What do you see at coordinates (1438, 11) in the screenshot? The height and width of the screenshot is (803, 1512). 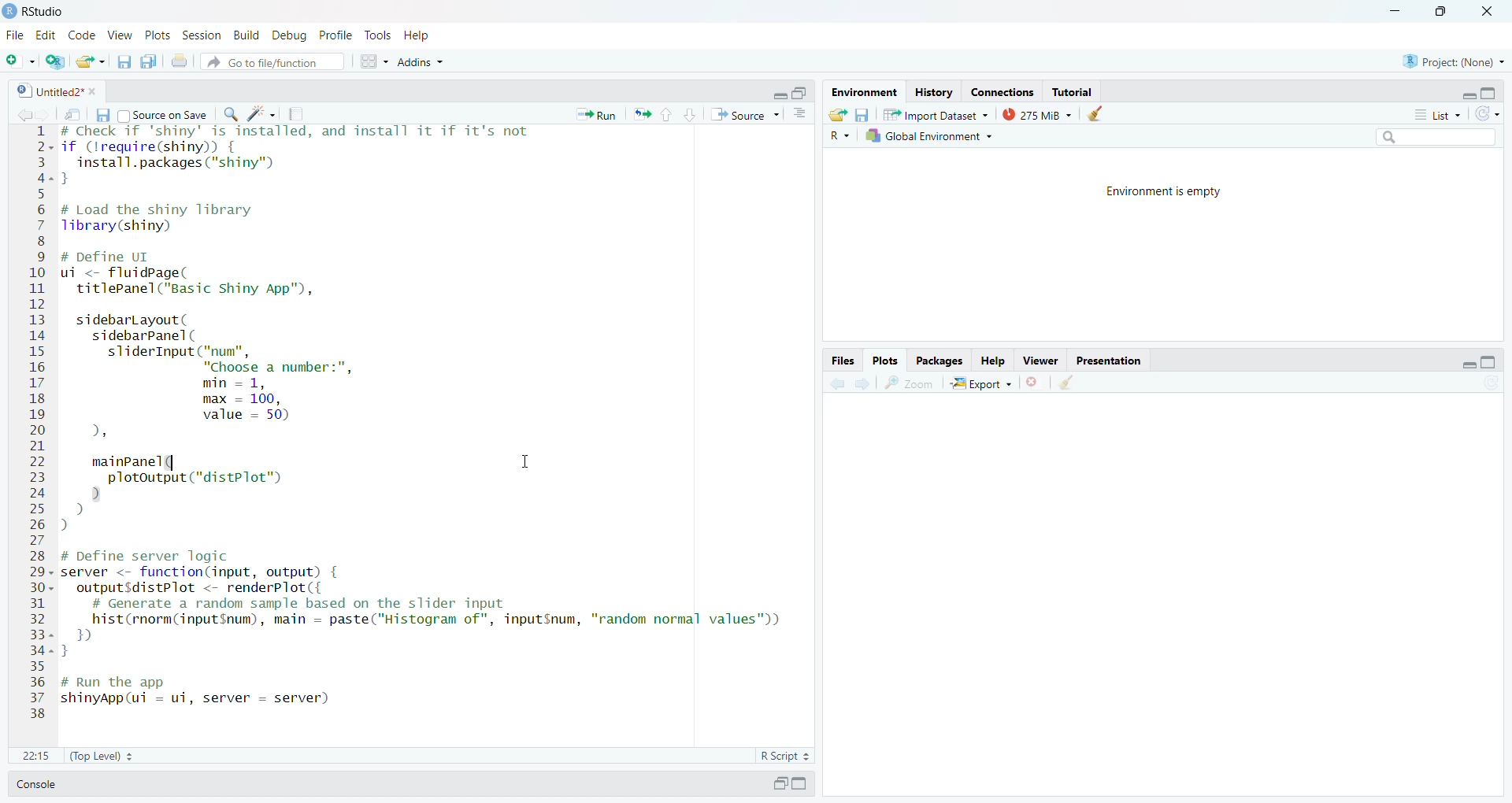 I see `resize` at bounding box center [1438, 11].